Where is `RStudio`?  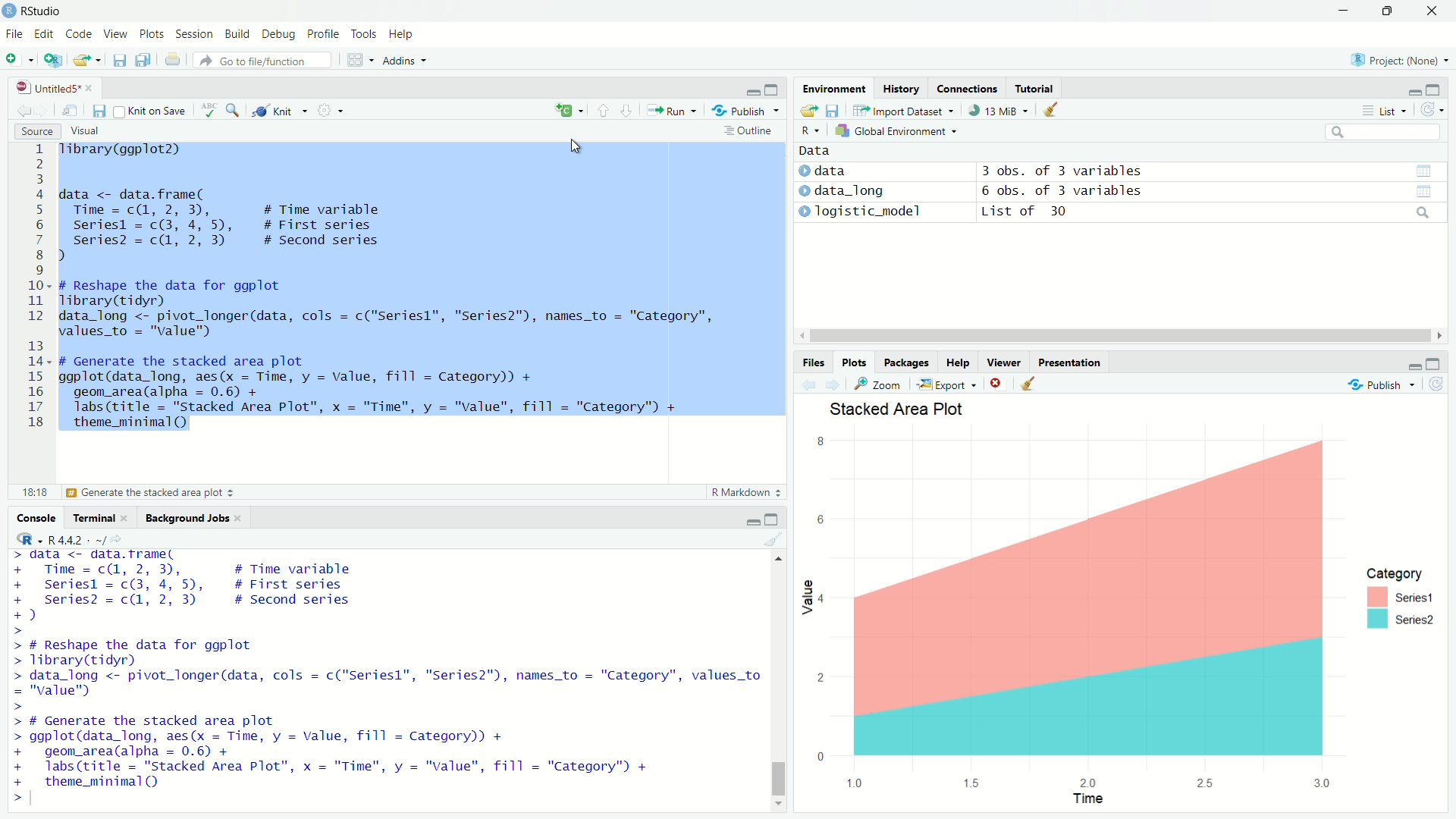 RStudio is located at coordinates (39, 10).